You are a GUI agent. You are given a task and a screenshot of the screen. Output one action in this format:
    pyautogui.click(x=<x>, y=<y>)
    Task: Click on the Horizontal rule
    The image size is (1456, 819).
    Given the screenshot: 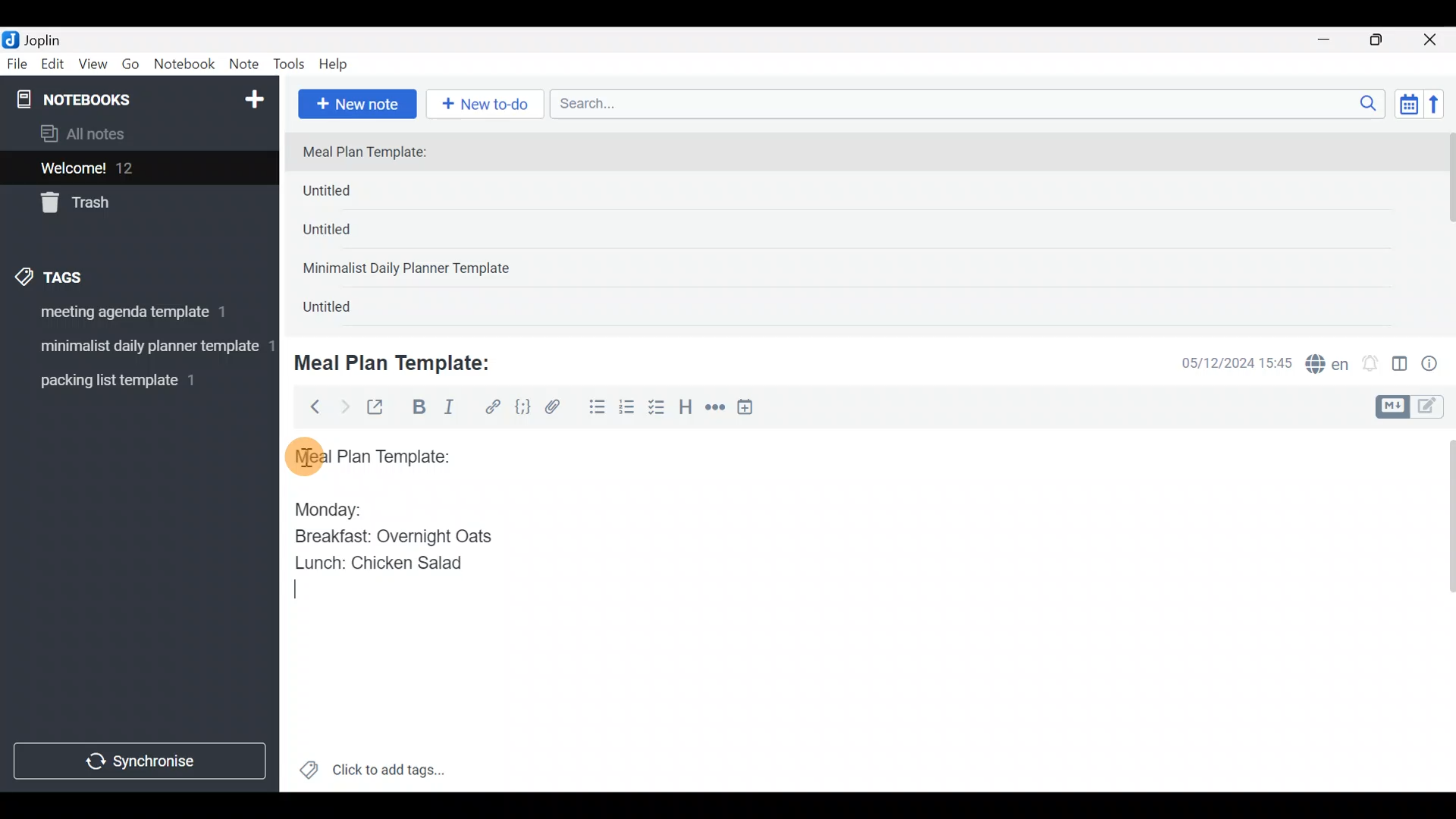 What is the action you would take?
    pyautogui.click(x=715, y=409)
    